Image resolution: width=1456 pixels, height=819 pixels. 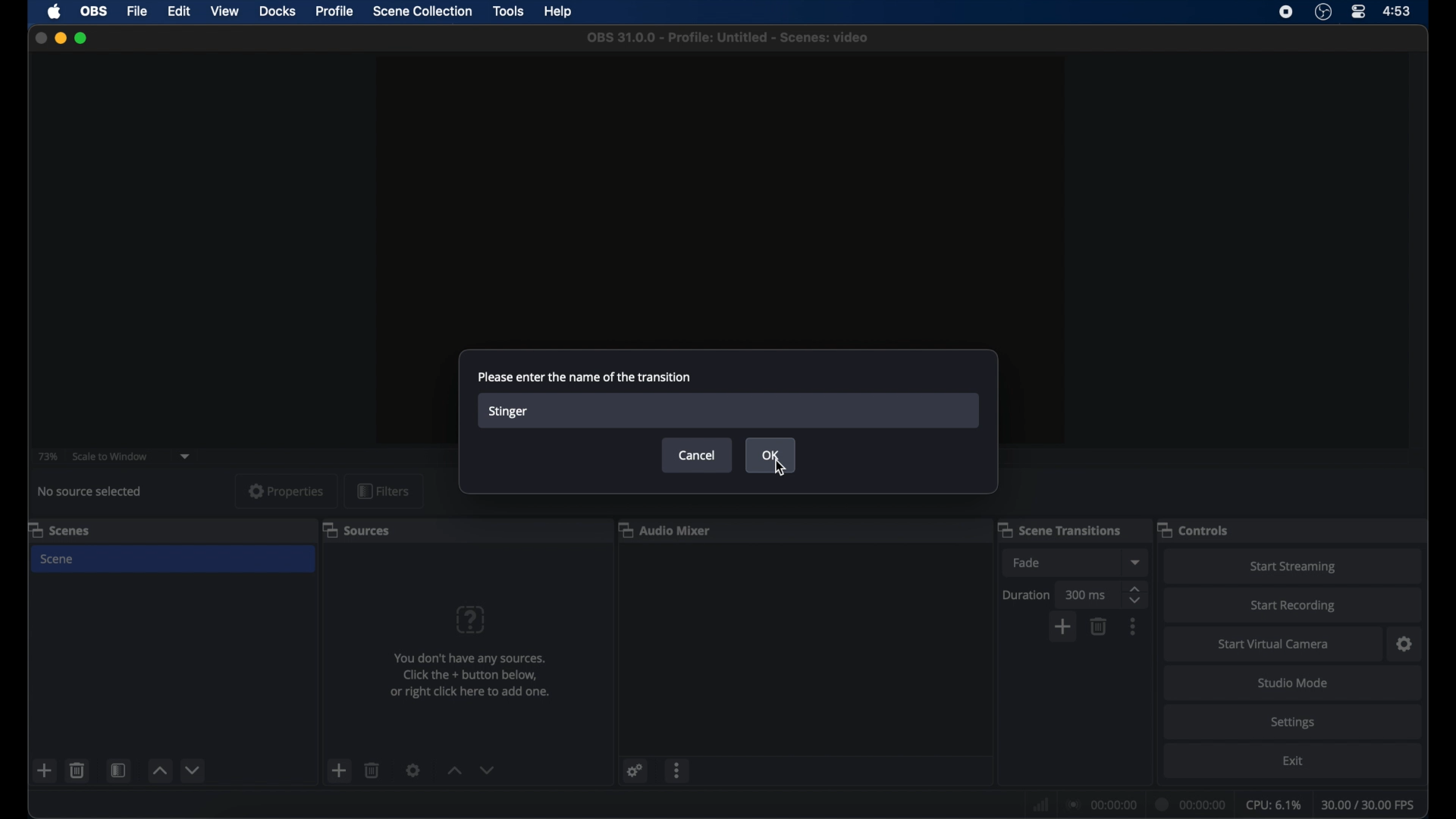 What do you see at coordinates (286, 491) in the screenshot?
I see `properties` at bounding box center [286, 491].